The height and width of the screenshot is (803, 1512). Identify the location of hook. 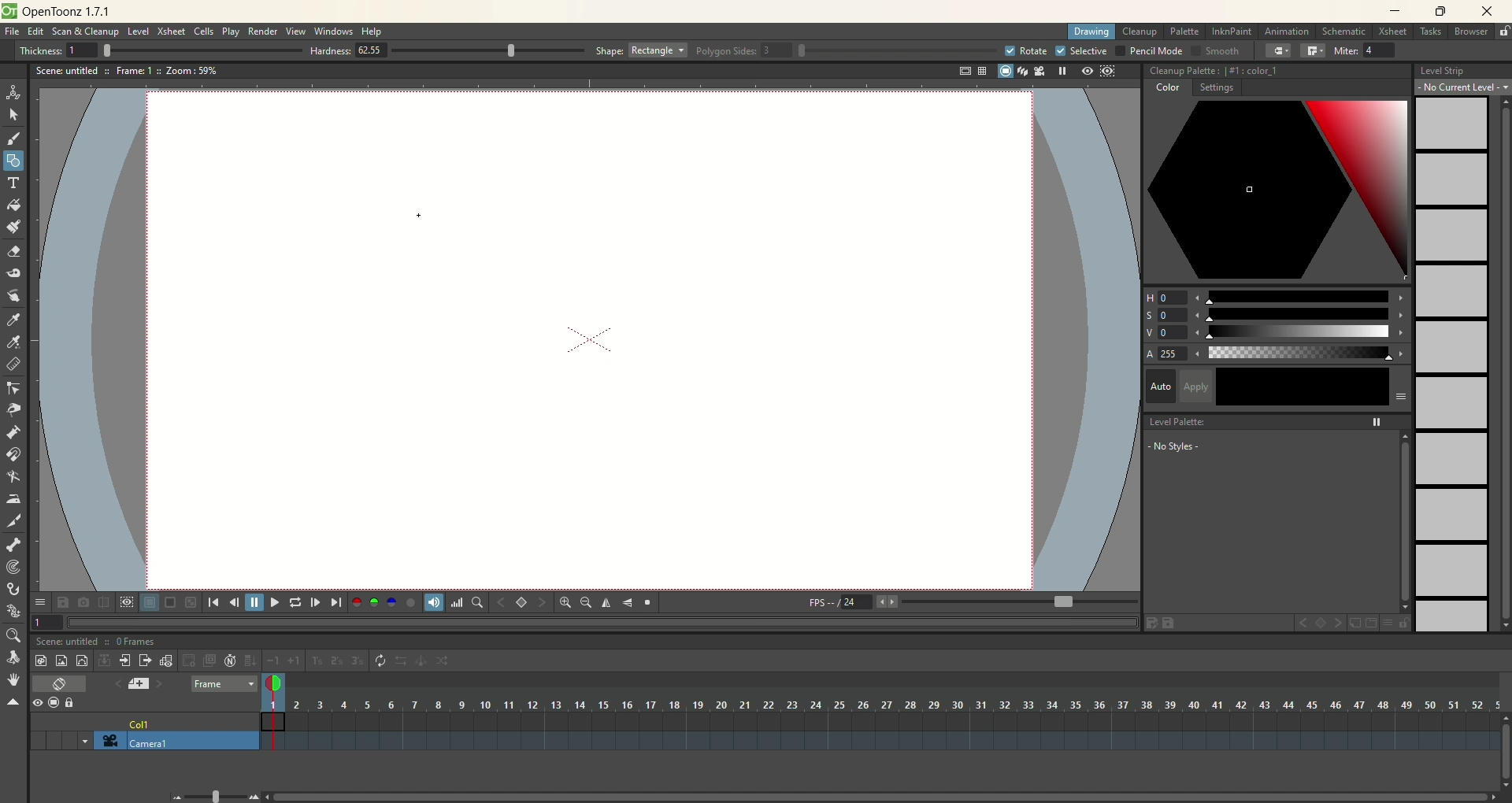
(15, 590).